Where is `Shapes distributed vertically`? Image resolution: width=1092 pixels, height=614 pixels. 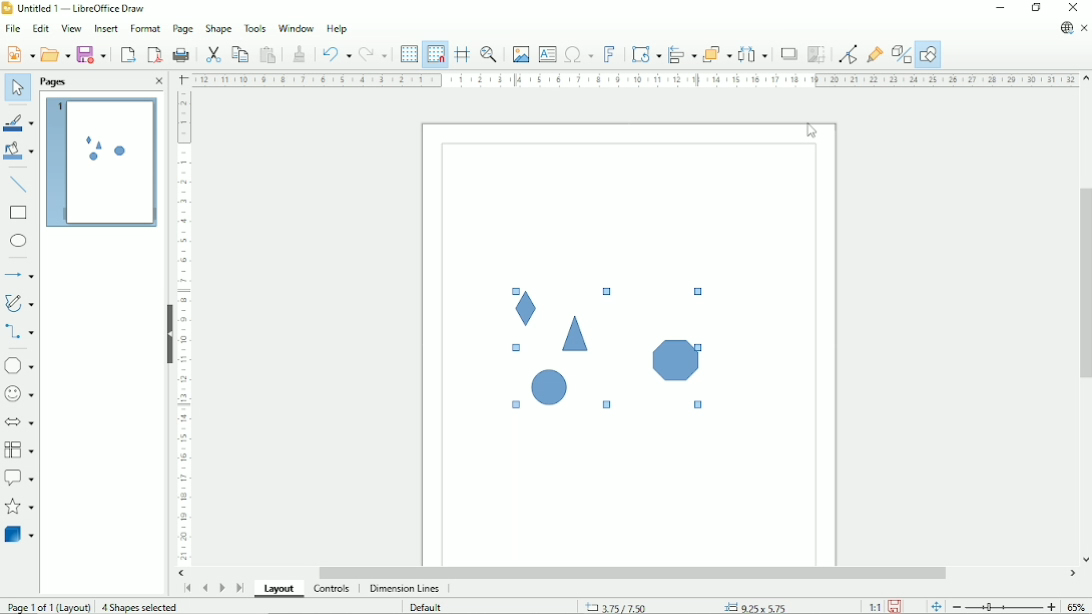
Shapes distributed vertically is located at coordinates (606, 350).